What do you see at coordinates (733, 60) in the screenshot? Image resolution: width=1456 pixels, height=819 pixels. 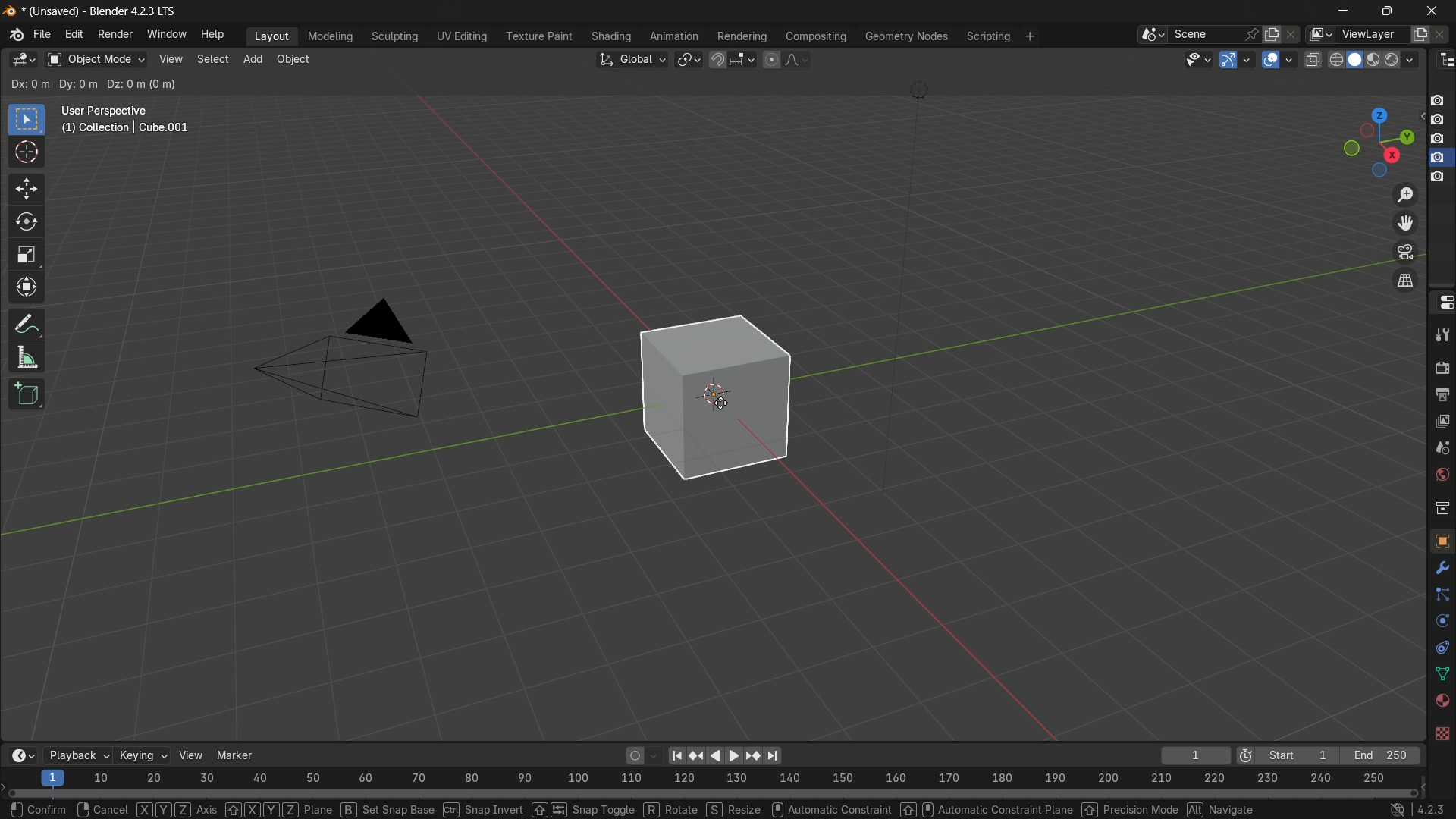 I see `snap` at bounding box center [733, 60].